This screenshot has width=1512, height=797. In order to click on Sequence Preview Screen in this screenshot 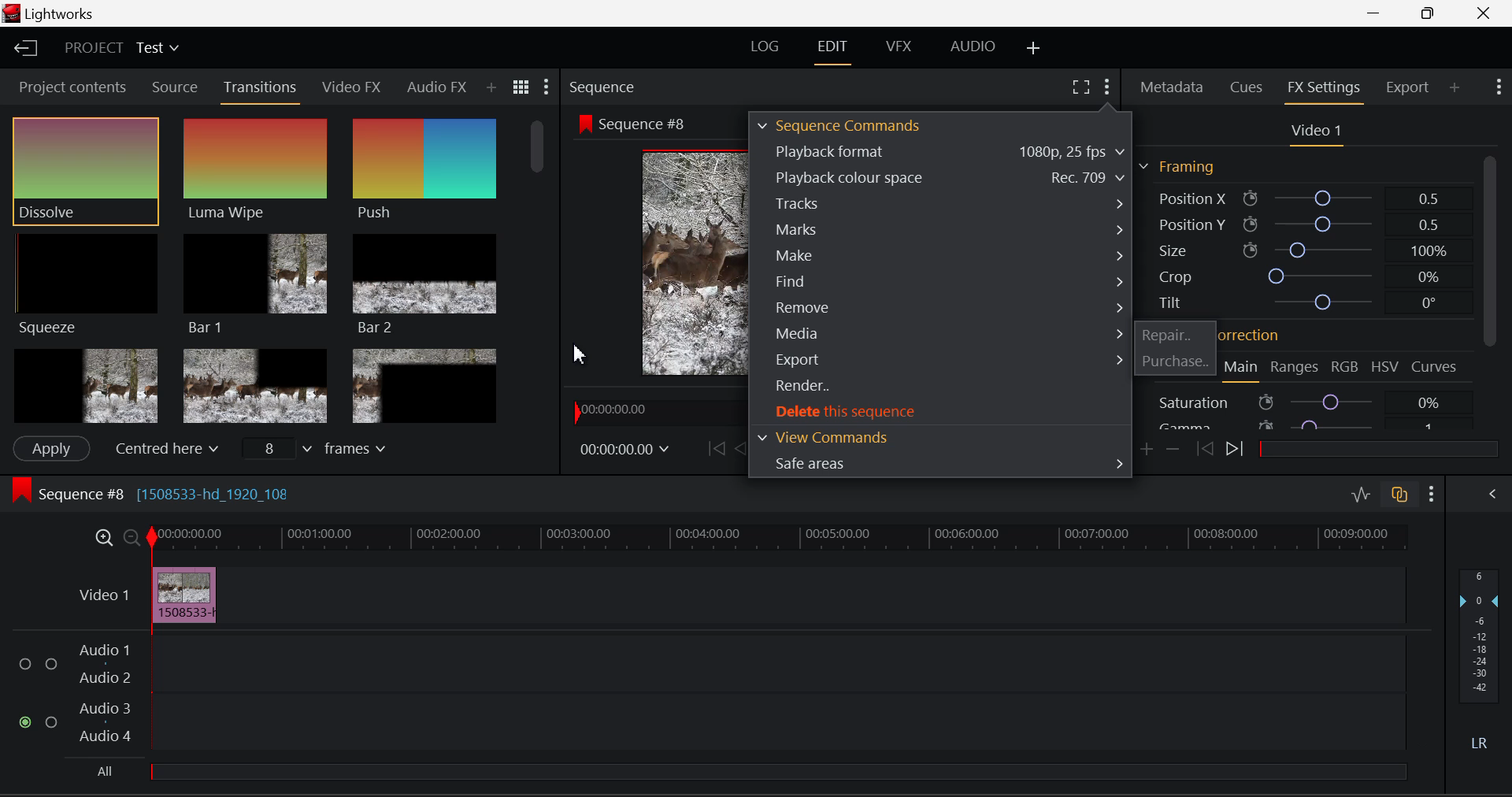, I will do `click(657, 263)`.